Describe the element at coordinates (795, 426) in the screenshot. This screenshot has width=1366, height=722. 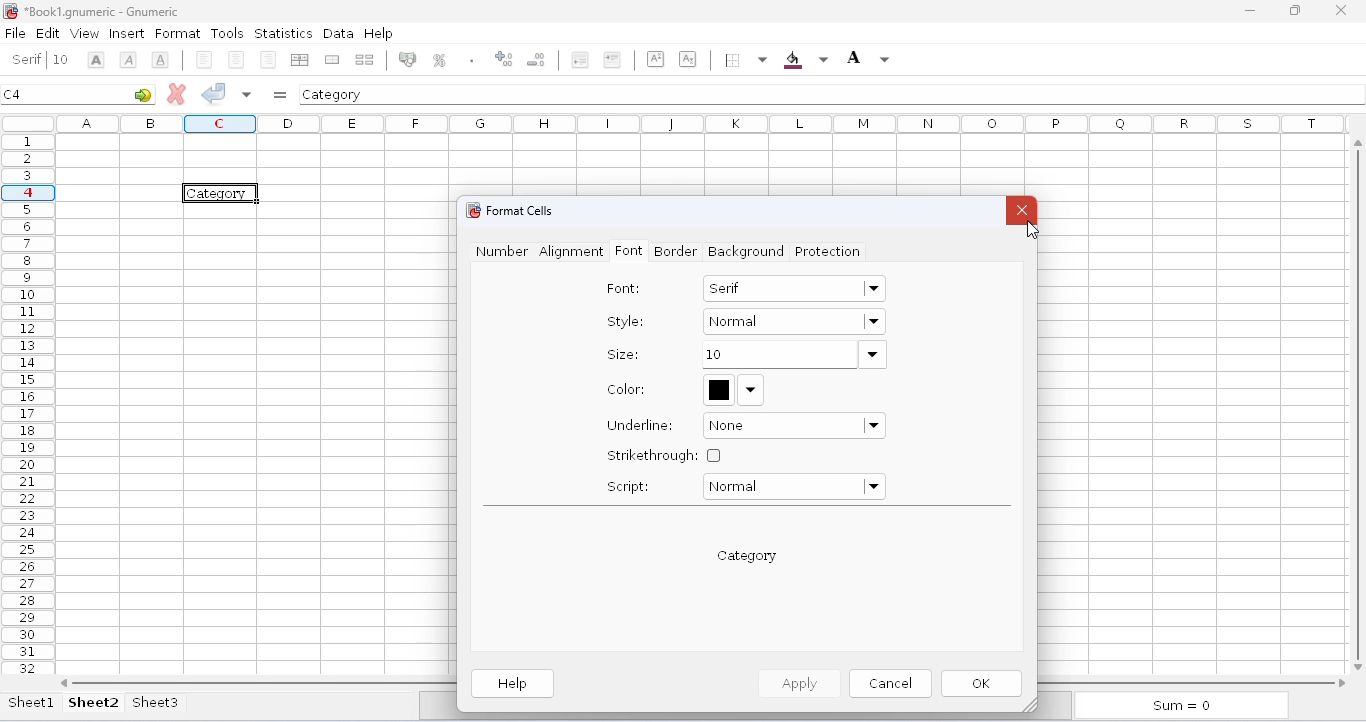
I see `none` at that location.